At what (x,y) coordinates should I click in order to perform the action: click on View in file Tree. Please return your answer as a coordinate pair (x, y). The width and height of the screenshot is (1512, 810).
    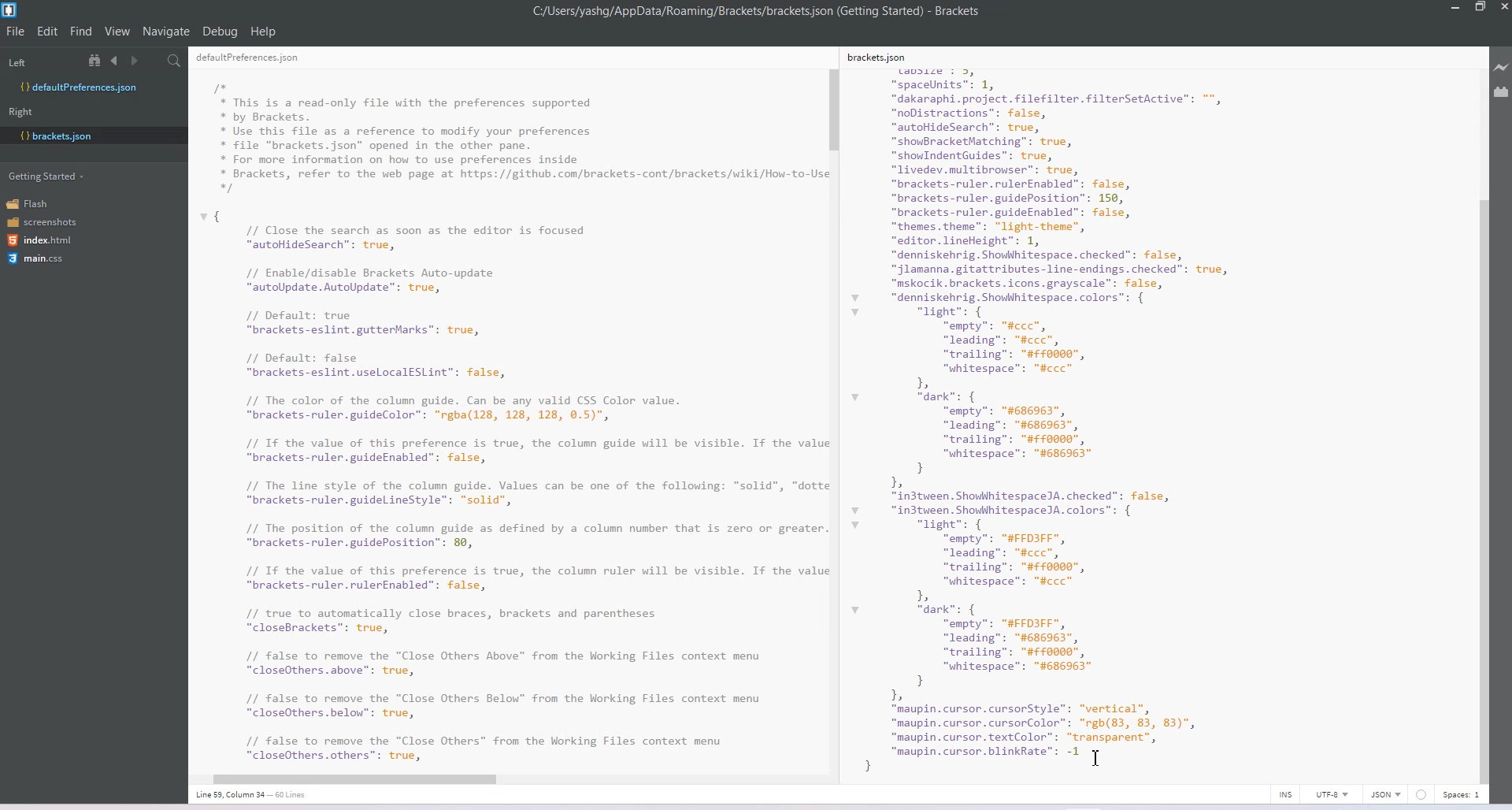
    Looking at the image, I should click on (97, 60).